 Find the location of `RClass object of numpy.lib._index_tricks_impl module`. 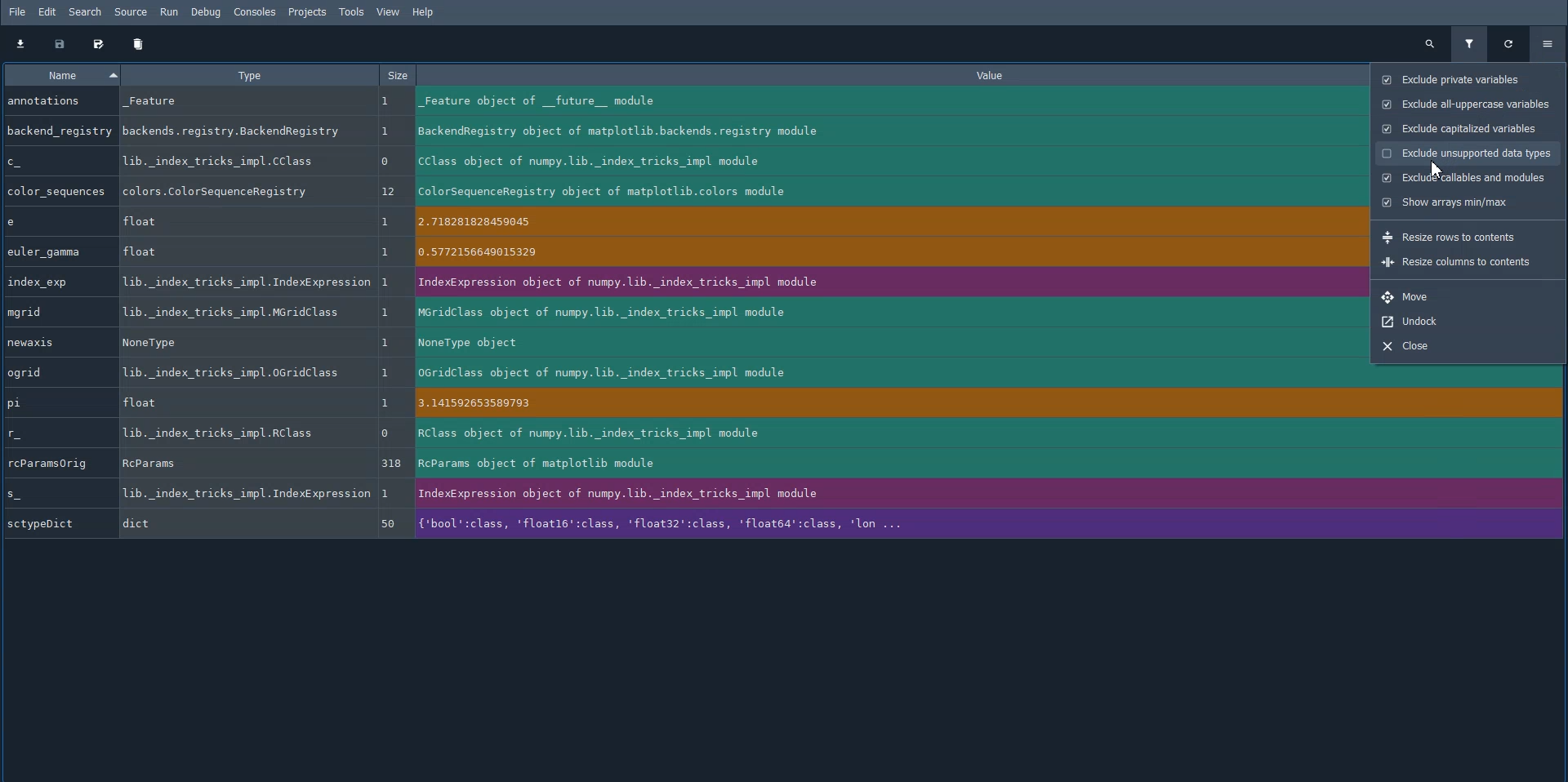

RClass object of numpy.lib._index_tricks_impl module is located at coordinates (885, 434).